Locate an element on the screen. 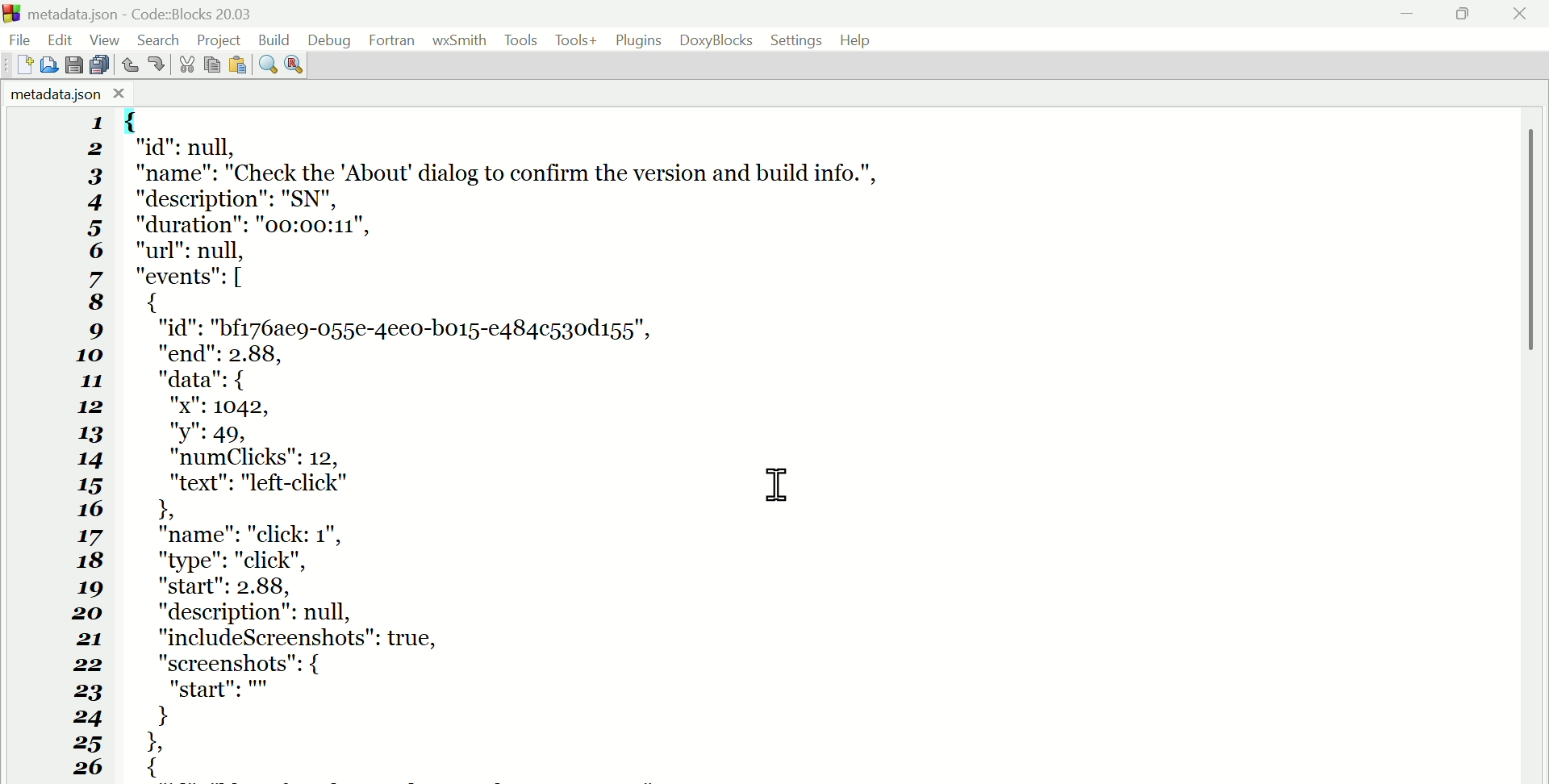  Doxyblocks is located at coordinates (716, 39).